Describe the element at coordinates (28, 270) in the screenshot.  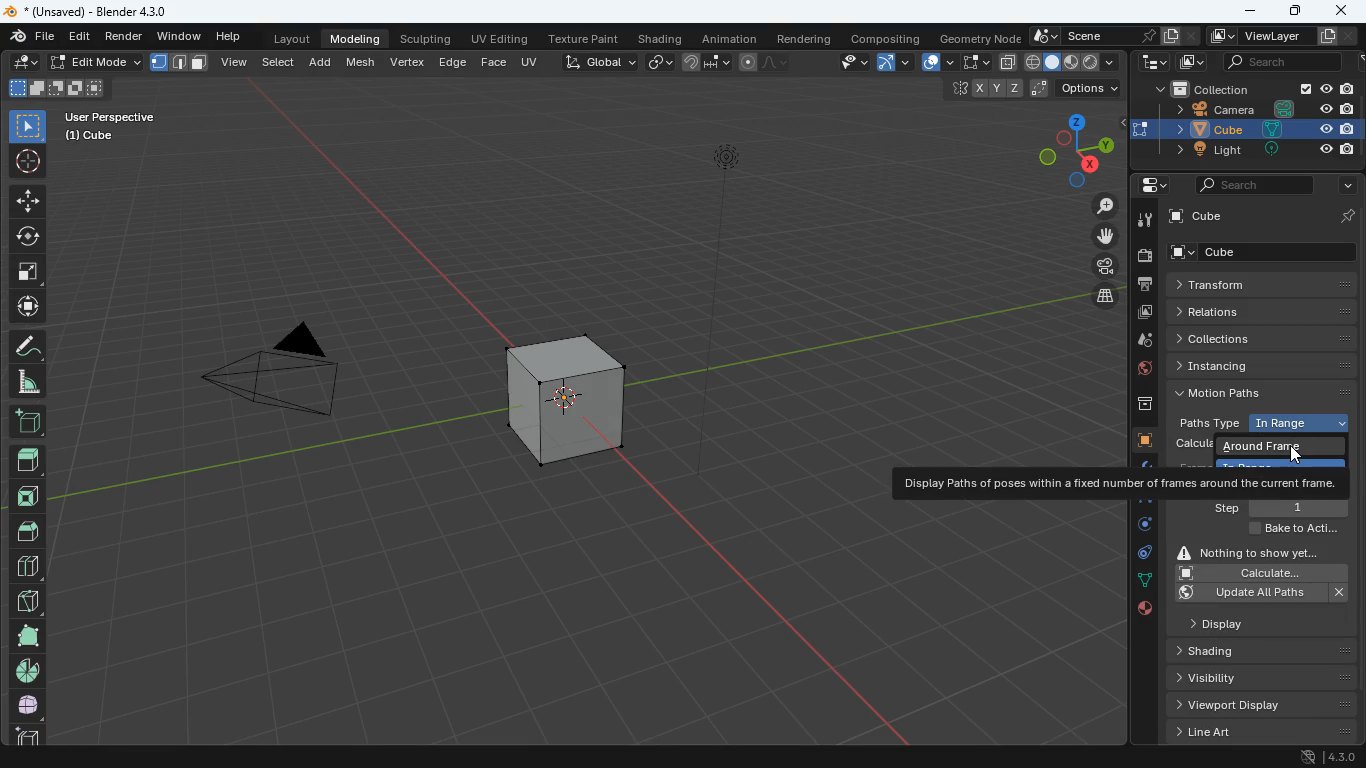
I see `fullscreen` at that location.